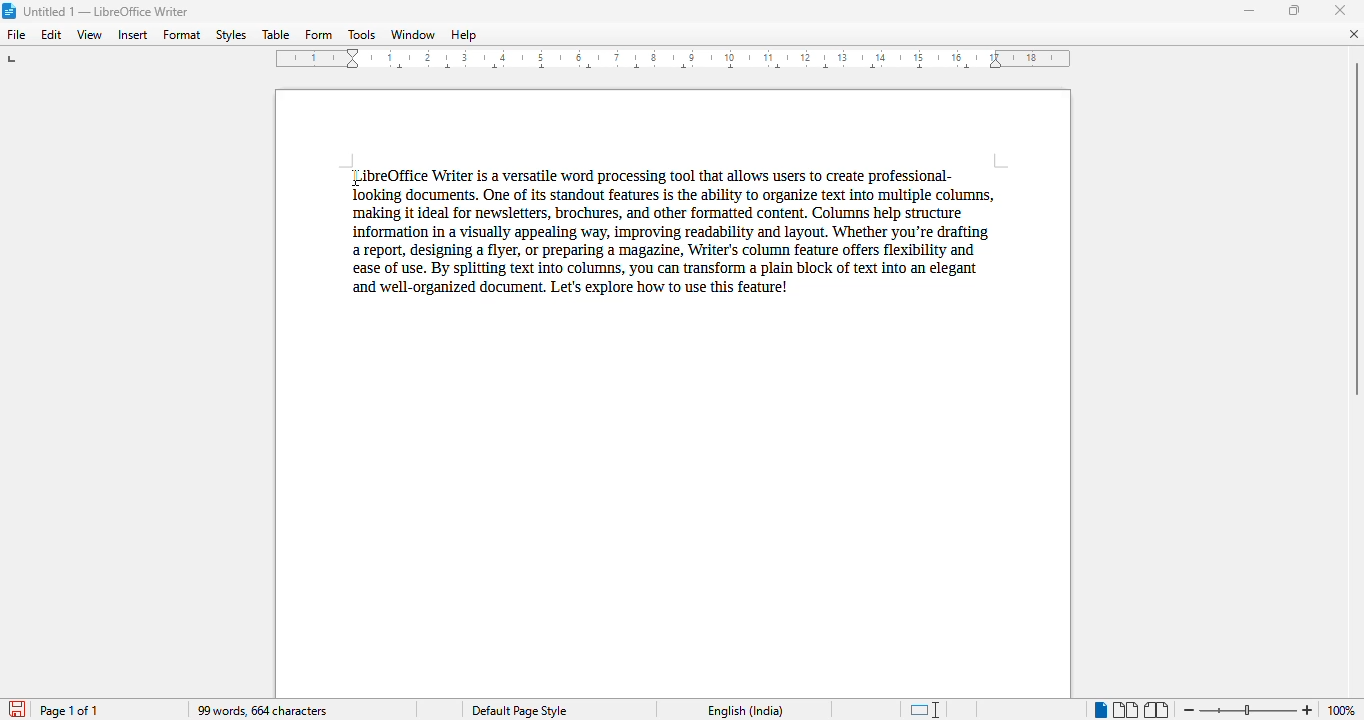 The width and height of the screenshot is (1364, 720). What do you see at coordinates (1126, 710) in the screenshot?
I see `multi-page view` at bounding box center [1126, 710].